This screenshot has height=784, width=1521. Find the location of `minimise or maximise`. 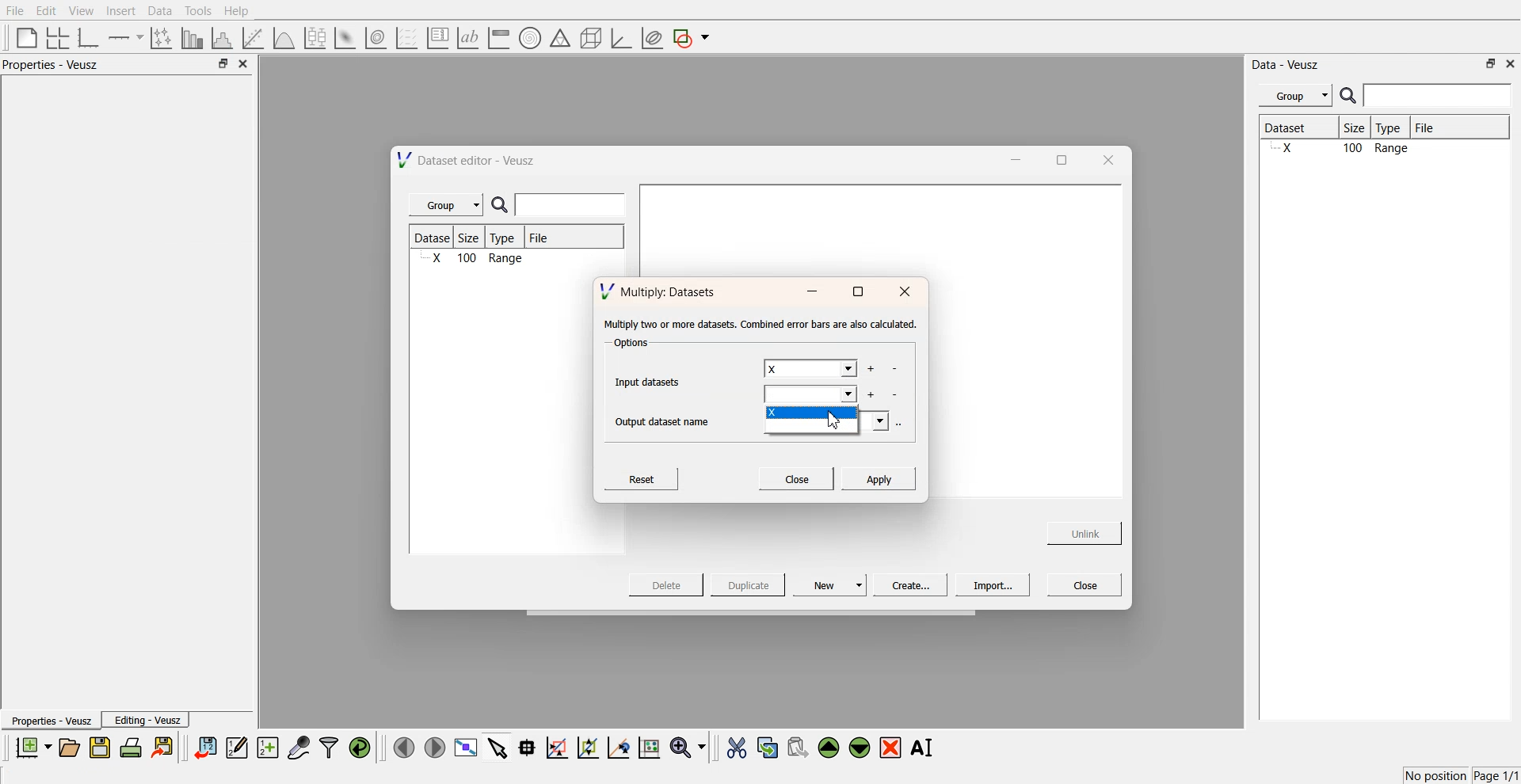

minimise or maximise is located at coordinates (223, 64).